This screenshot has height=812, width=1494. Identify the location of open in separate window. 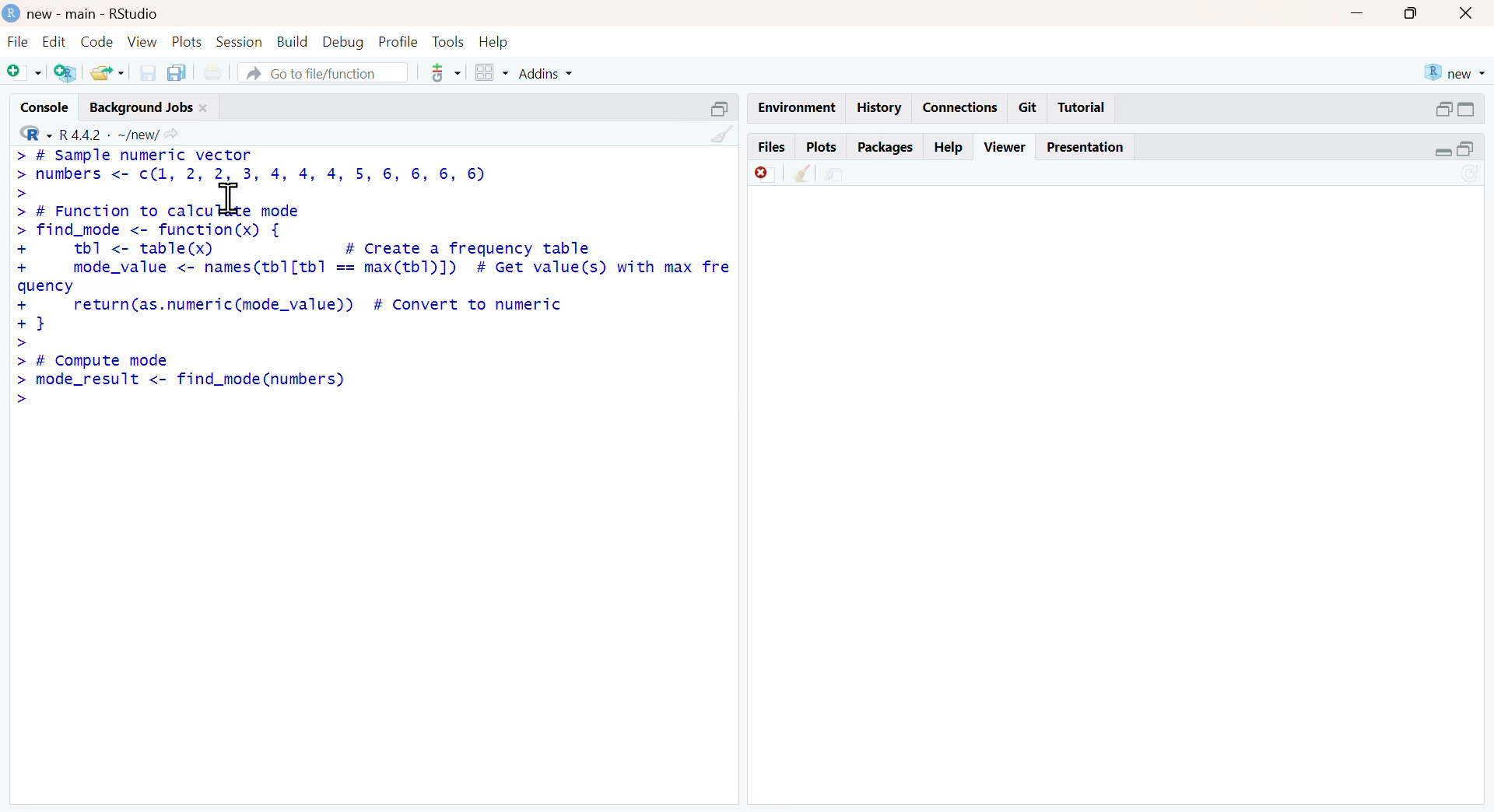
(1465, 148).